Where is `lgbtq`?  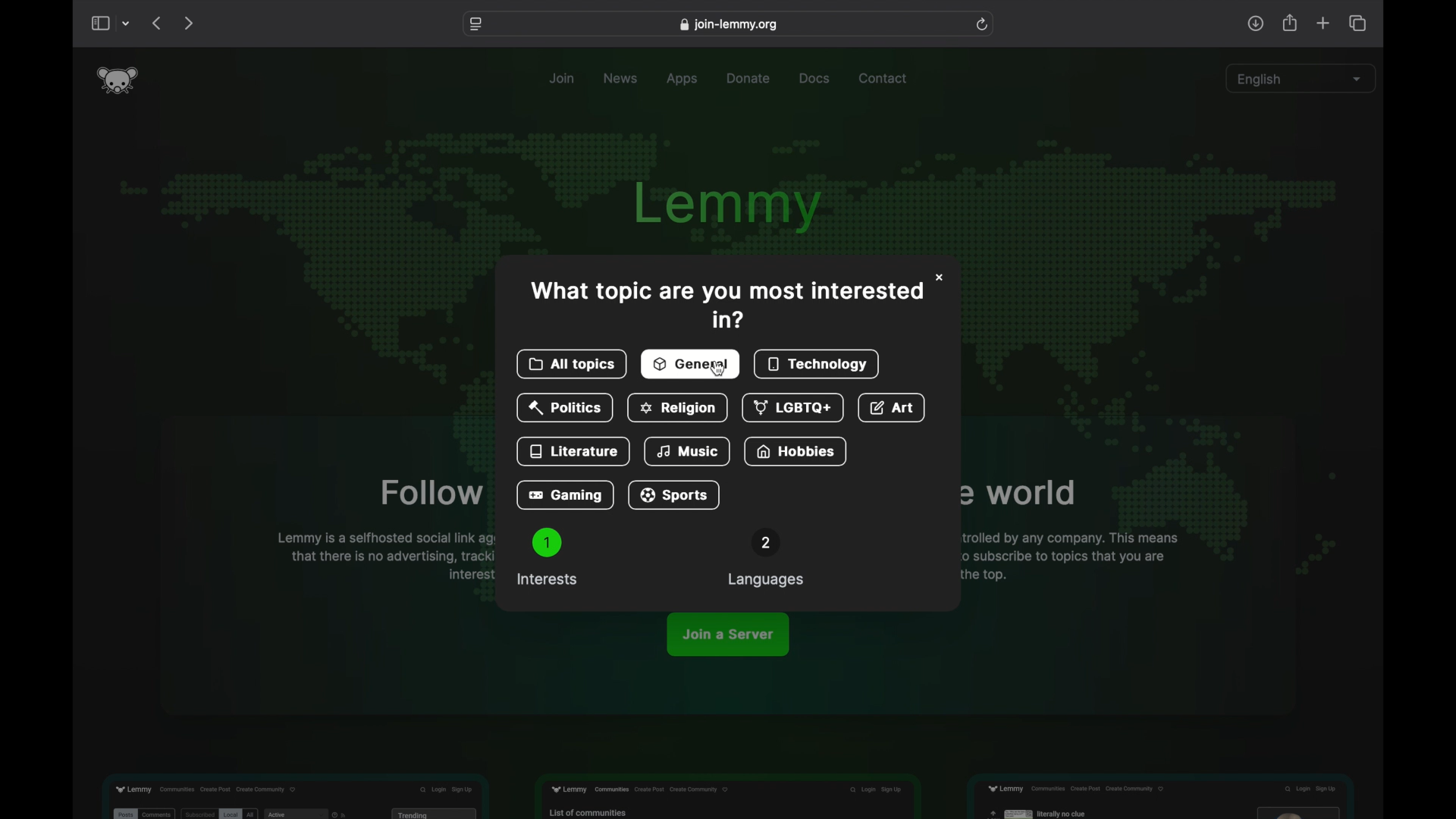
lgbtq is located at coordinates (790, 407).